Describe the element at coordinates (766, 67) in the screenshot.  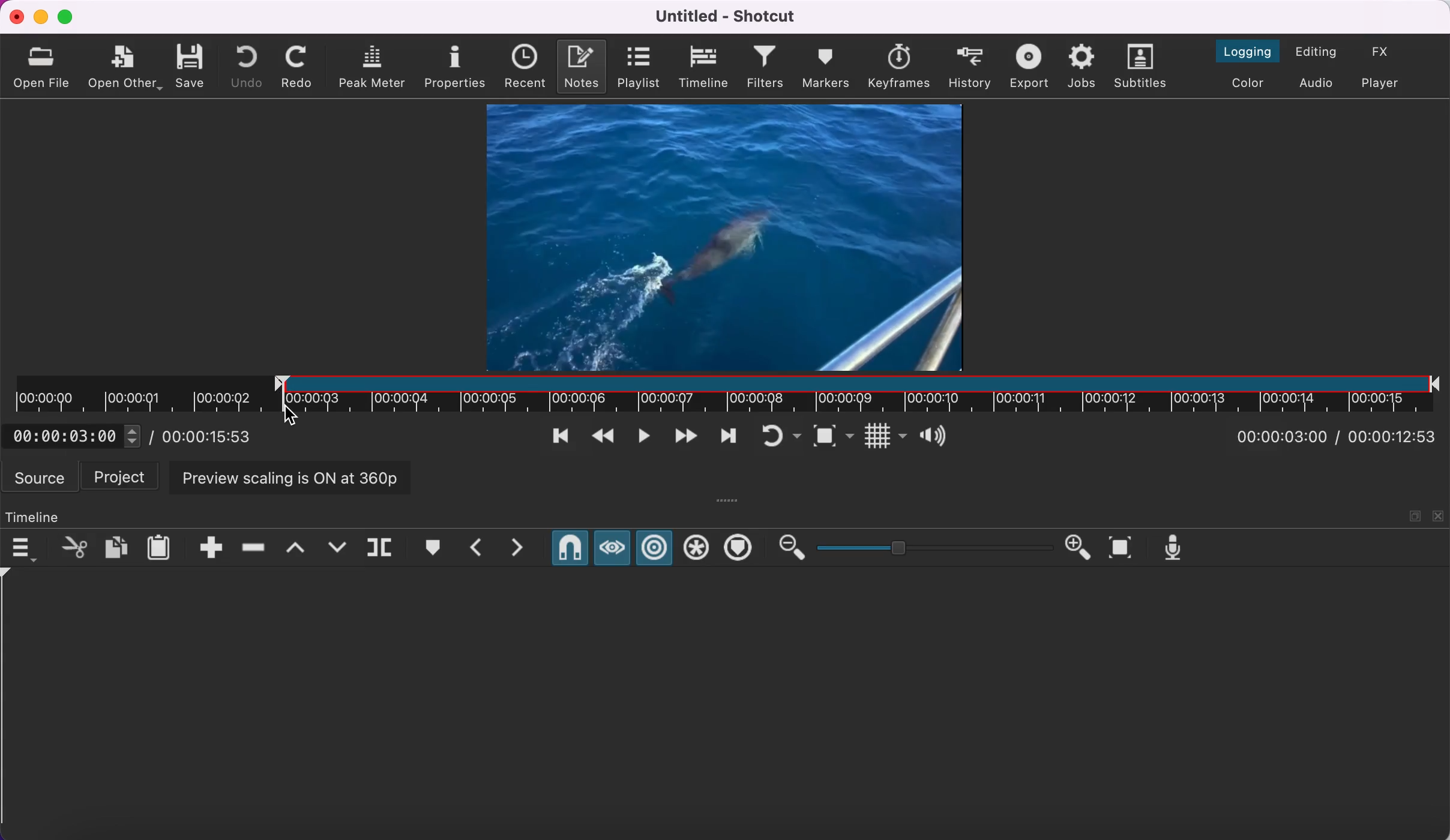
I see `filters` at that location.